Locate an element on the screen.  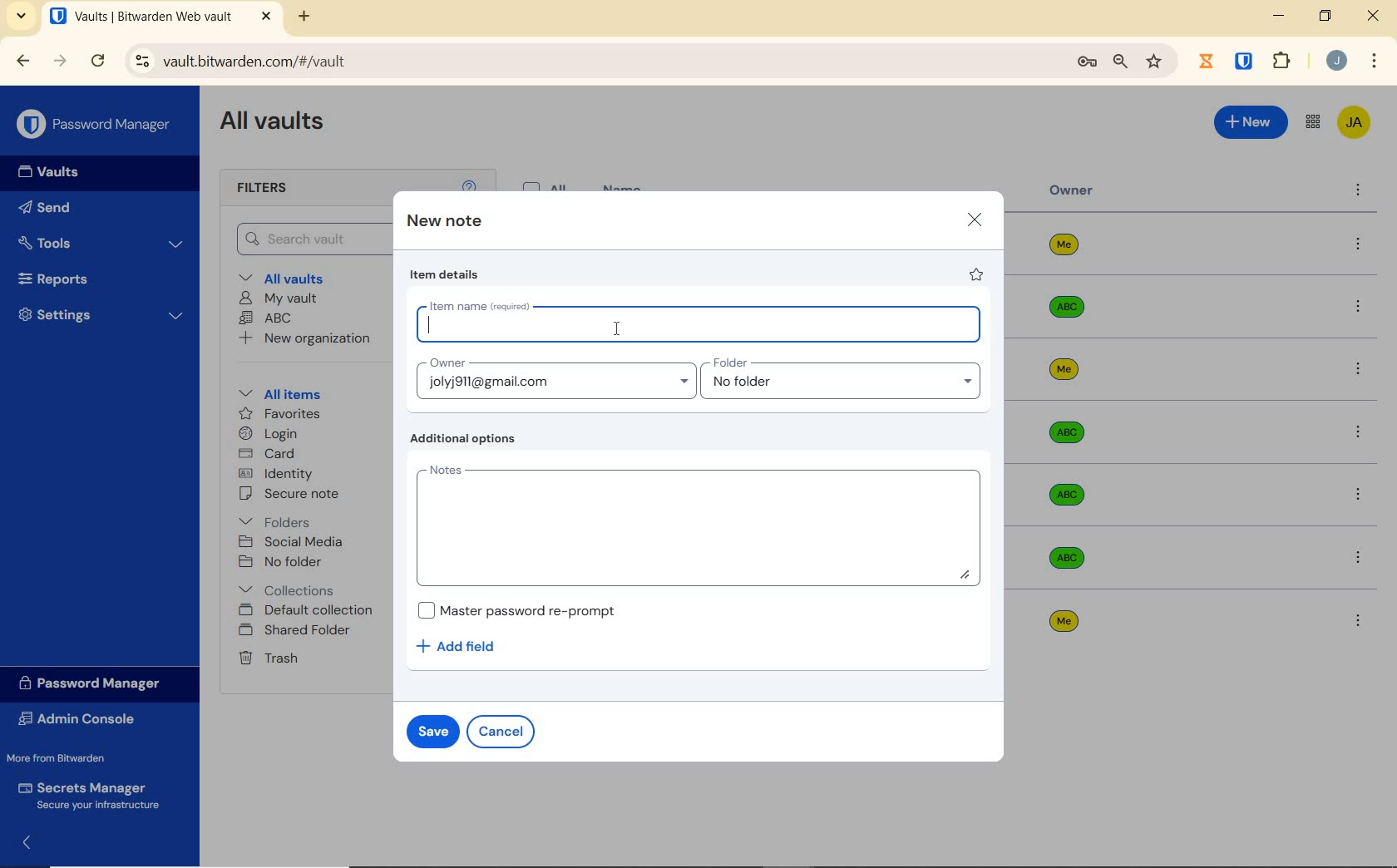
more options is located at coordinates (1358, 192).